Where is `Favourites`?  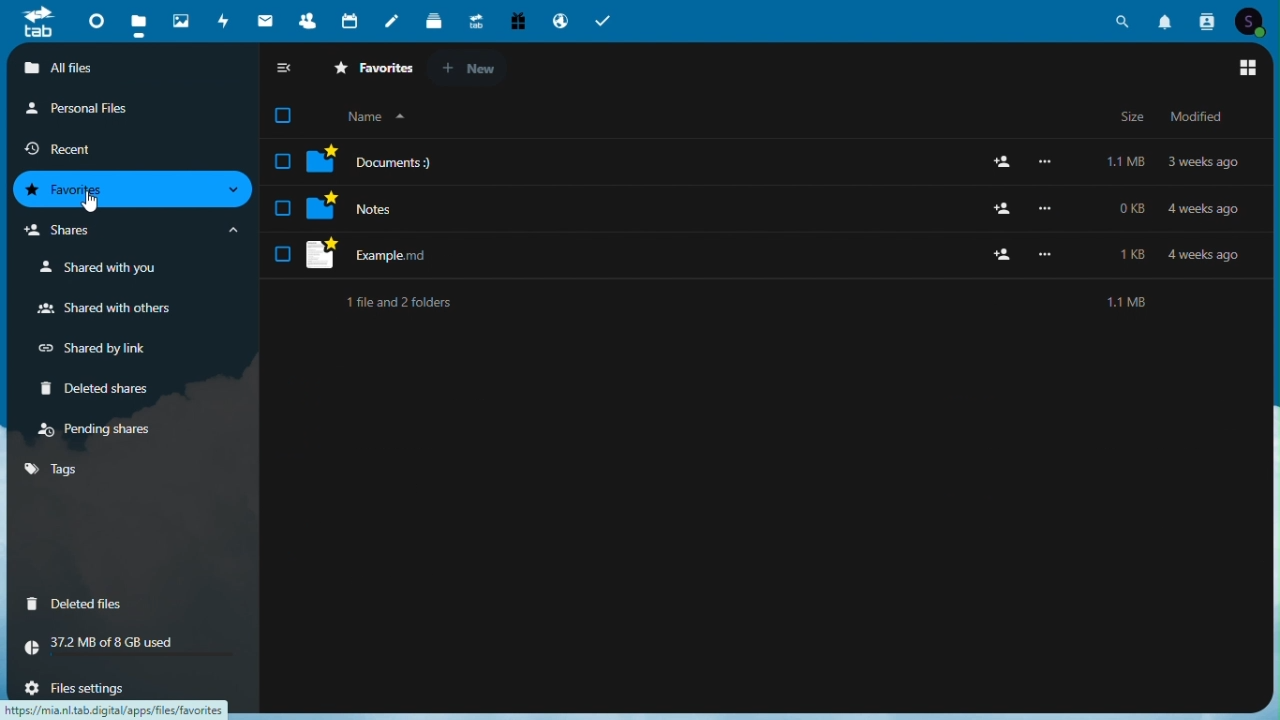 Favourites is located at coordinates (135, 190).